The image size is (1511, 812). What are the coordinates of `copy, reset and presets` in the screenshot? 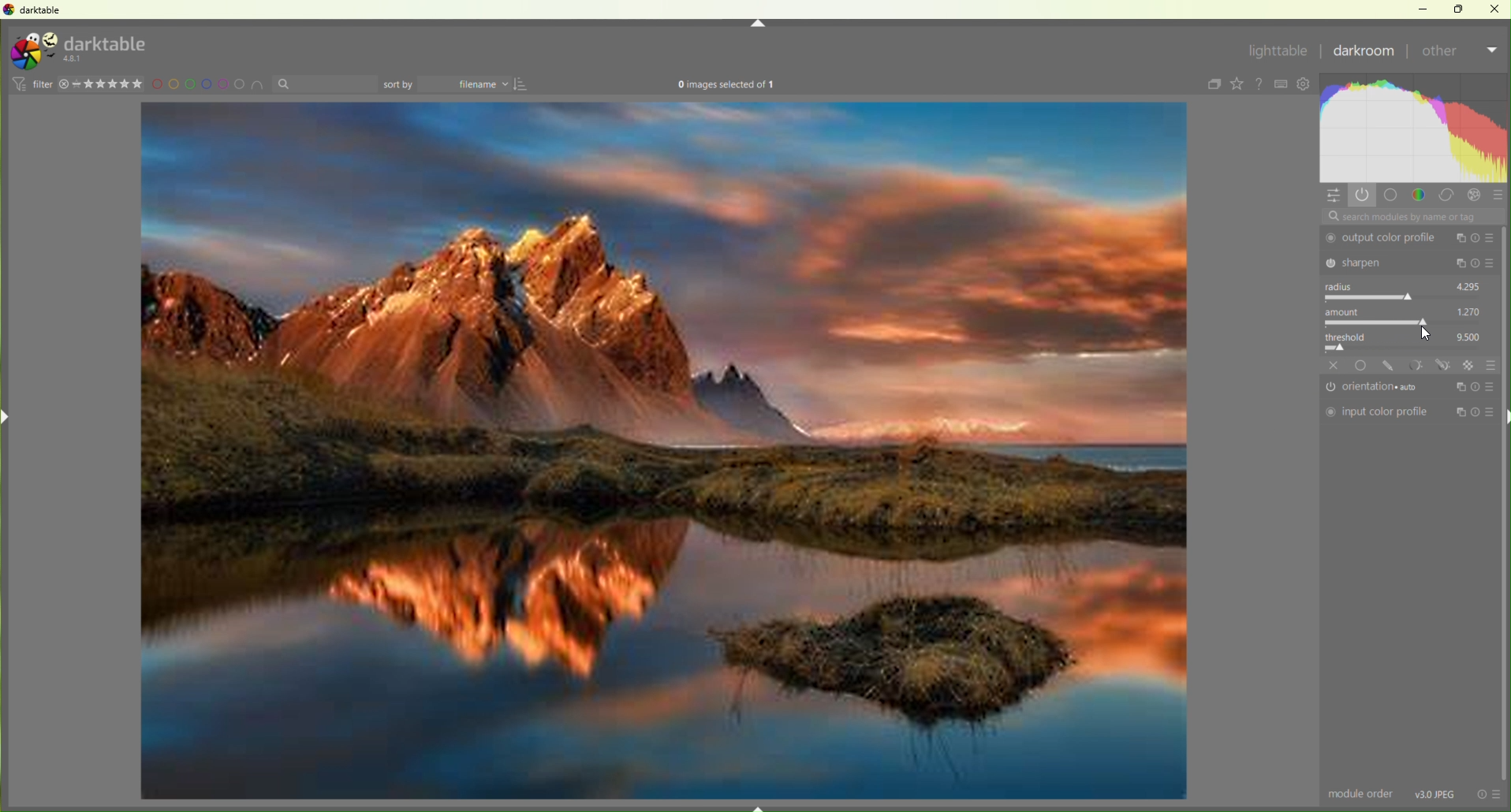 It's located at (1476, 238).